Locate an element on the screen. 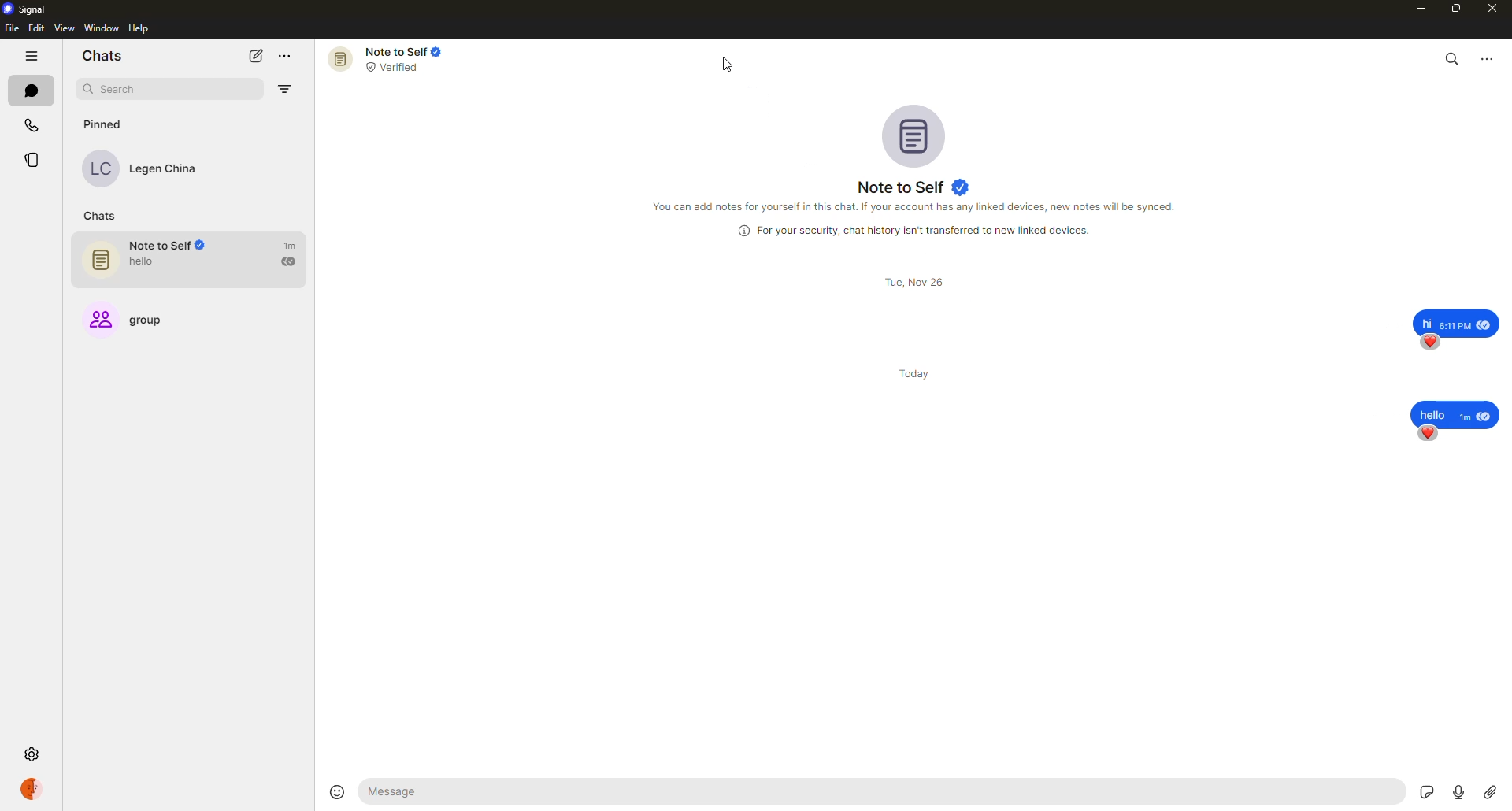 The height and width of the screenshot is (811, 1512). chats is located at coordinates (102, 54).